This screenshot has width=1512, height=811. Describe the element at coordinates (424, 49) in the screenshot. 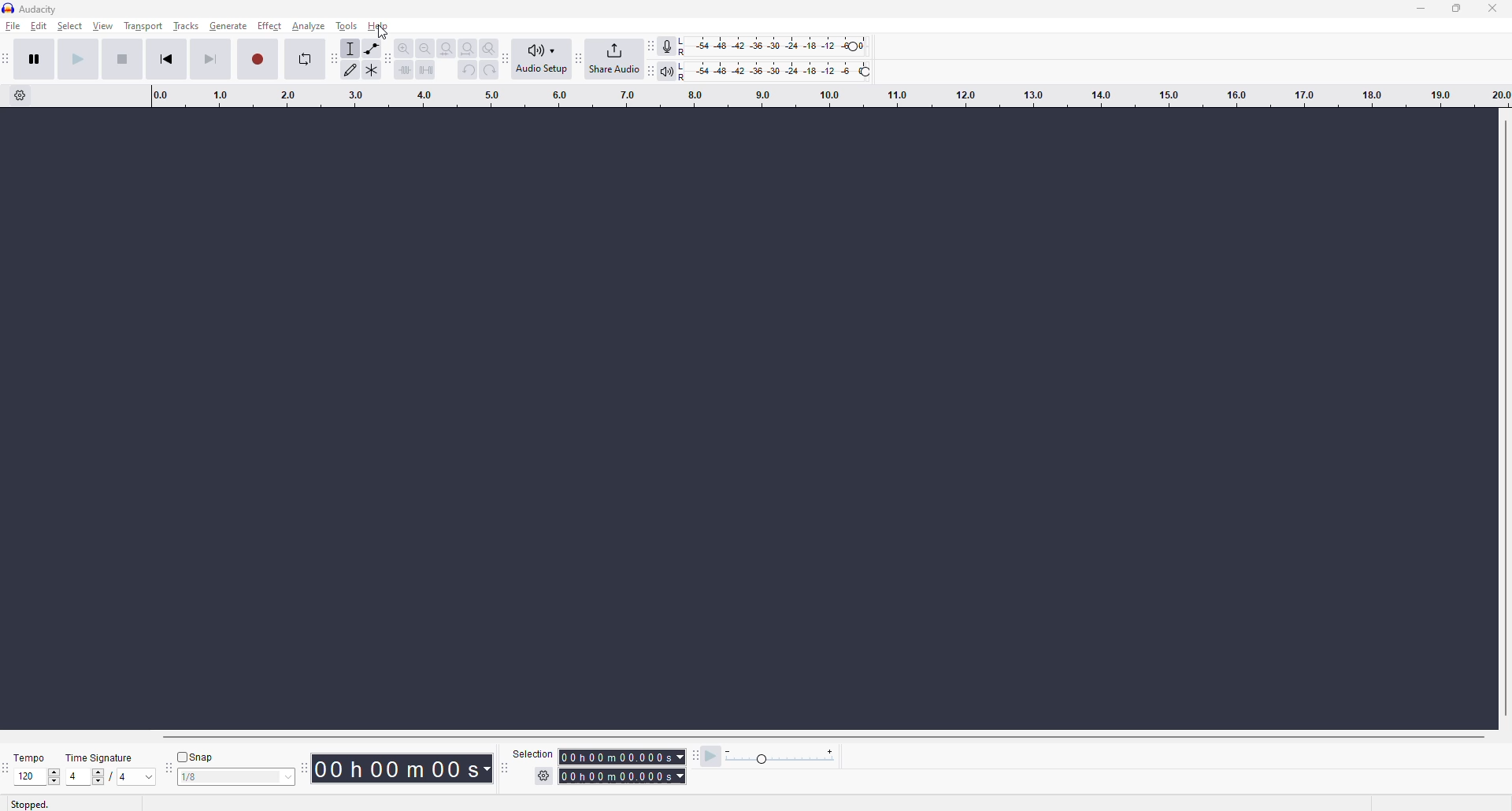

I see `zoom out` at that location.